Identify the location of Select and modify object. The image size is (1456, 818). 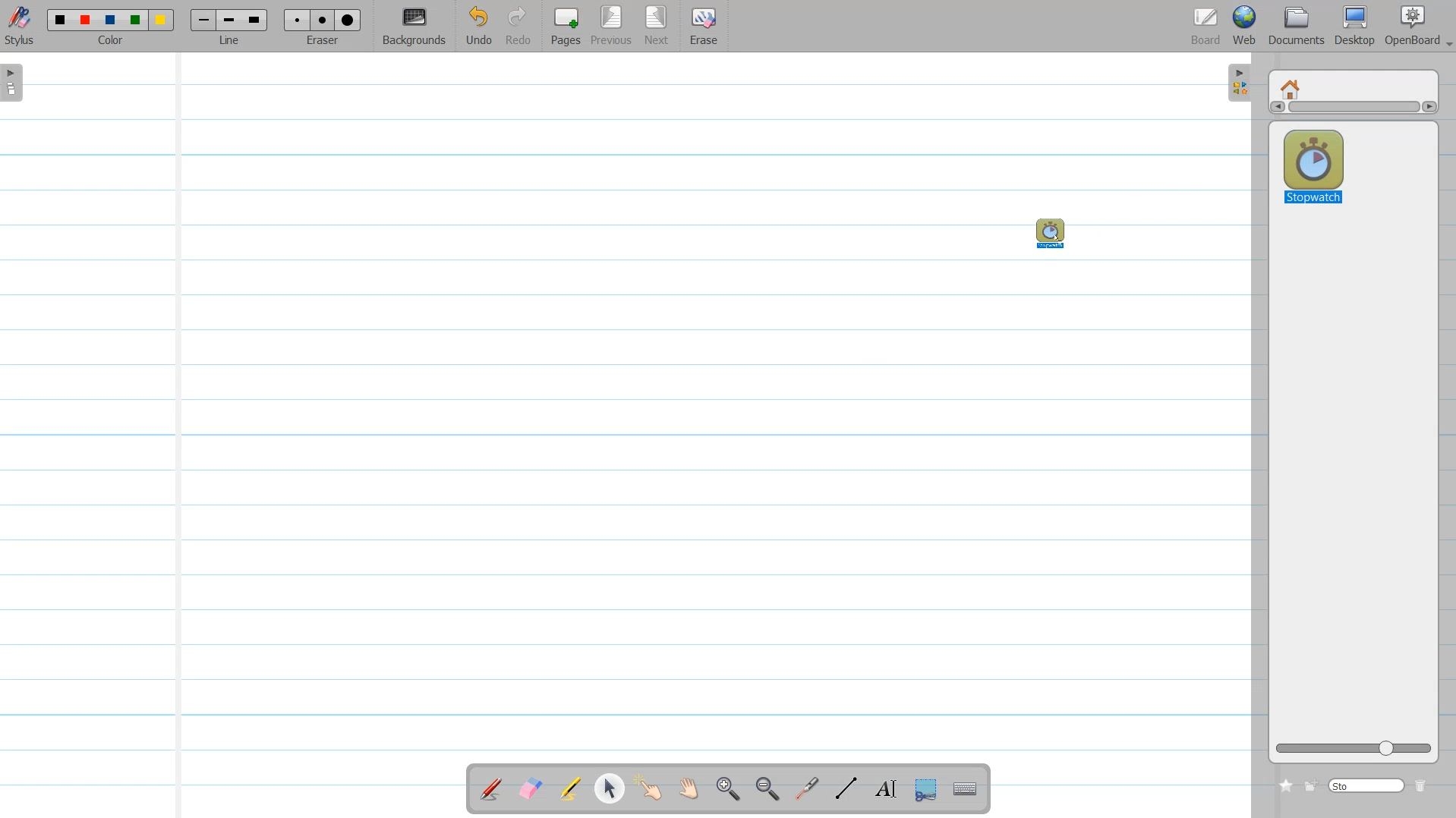
(609, 788).